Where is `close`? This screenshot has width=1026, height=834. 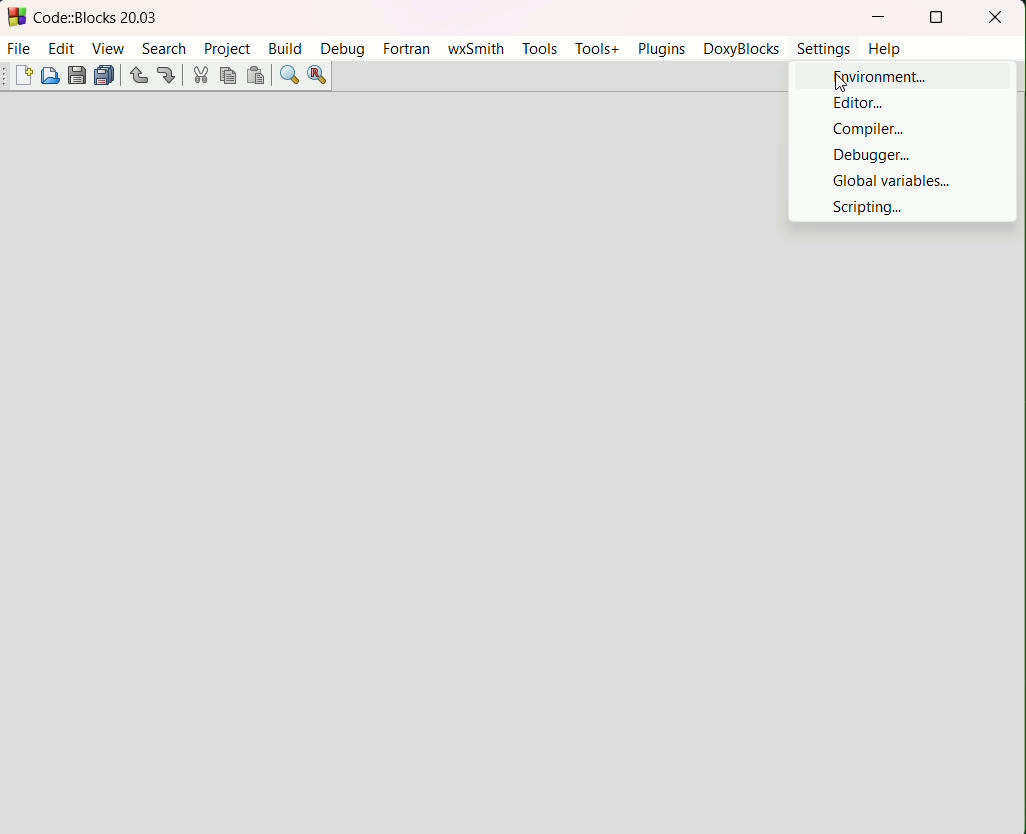 close is located at coordinates (996, 17).